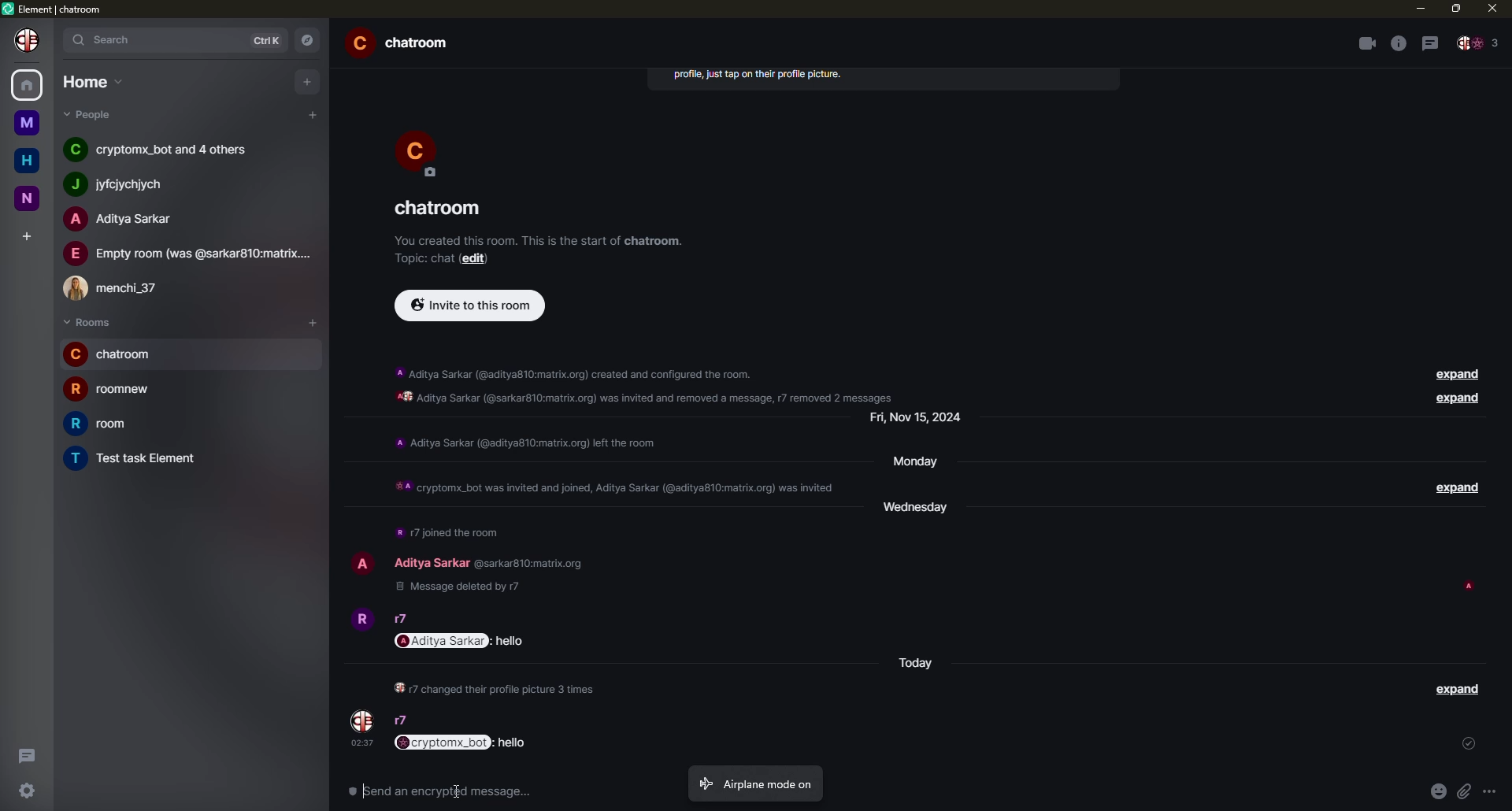  What do you see at coordinates (403, 43) in the screenshot?
I see `room` at bounding box center [403, 43].